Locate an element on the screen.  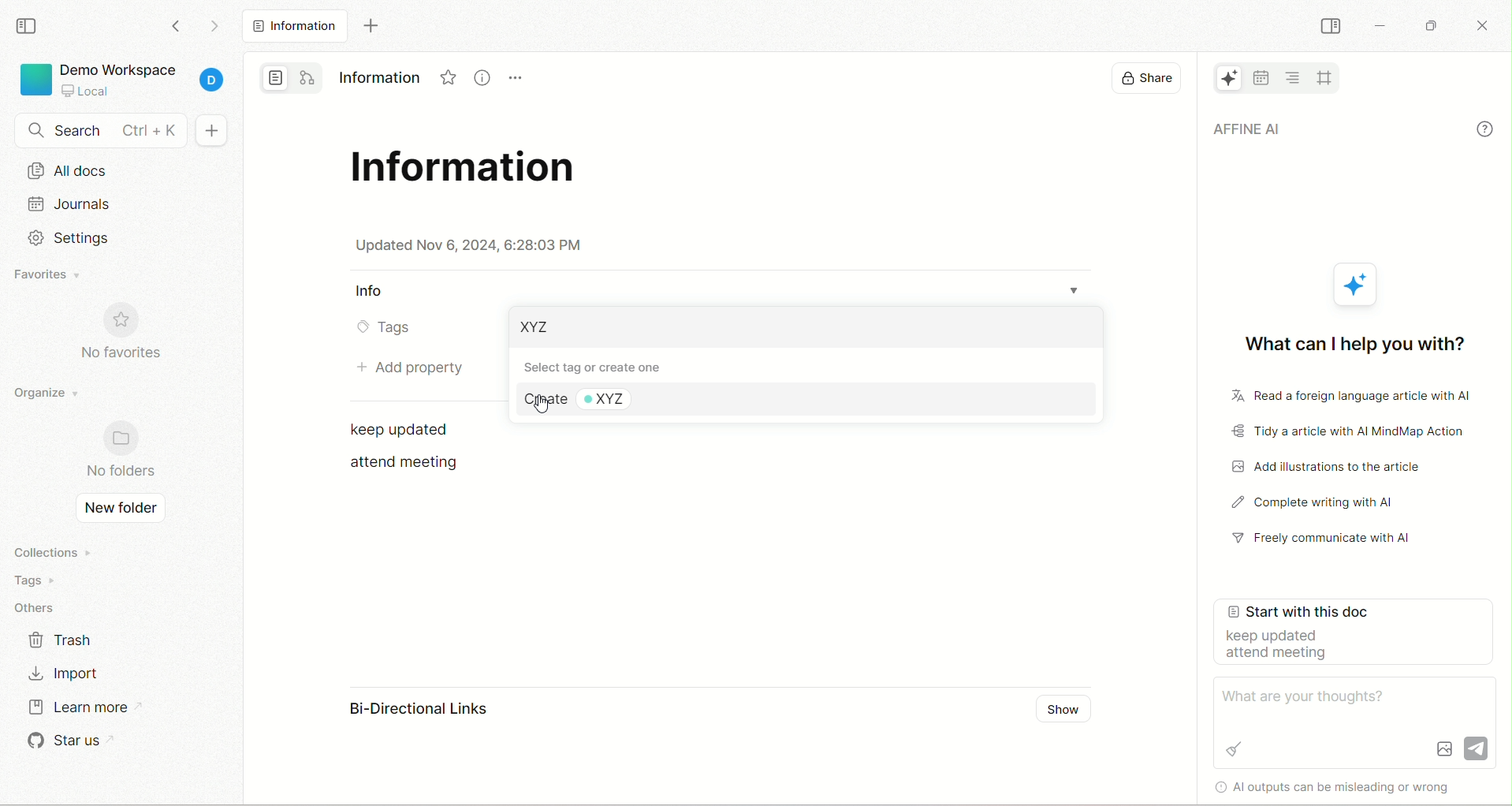
display is located at coordinates (1140, 80).